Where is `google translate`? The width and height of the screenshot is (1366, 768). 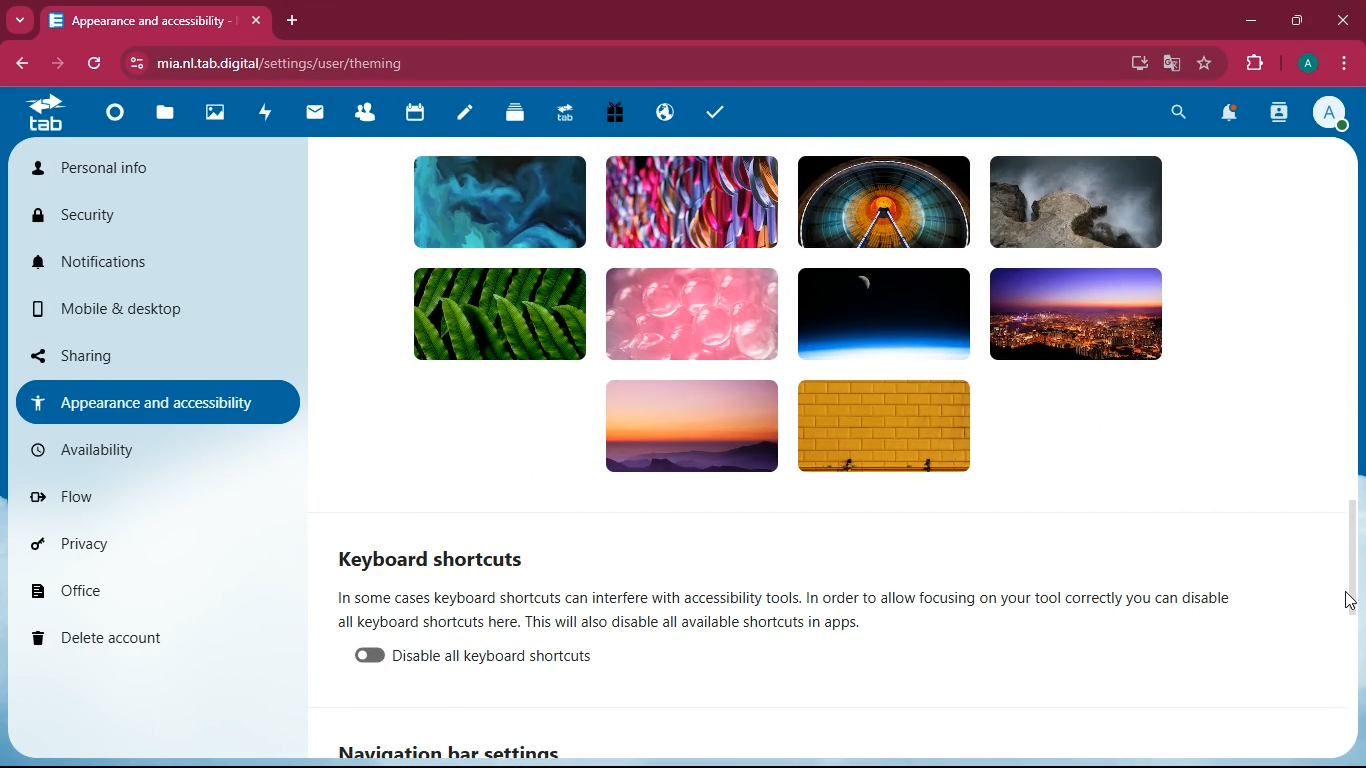 google translate is located at coordinates (1170, 64).